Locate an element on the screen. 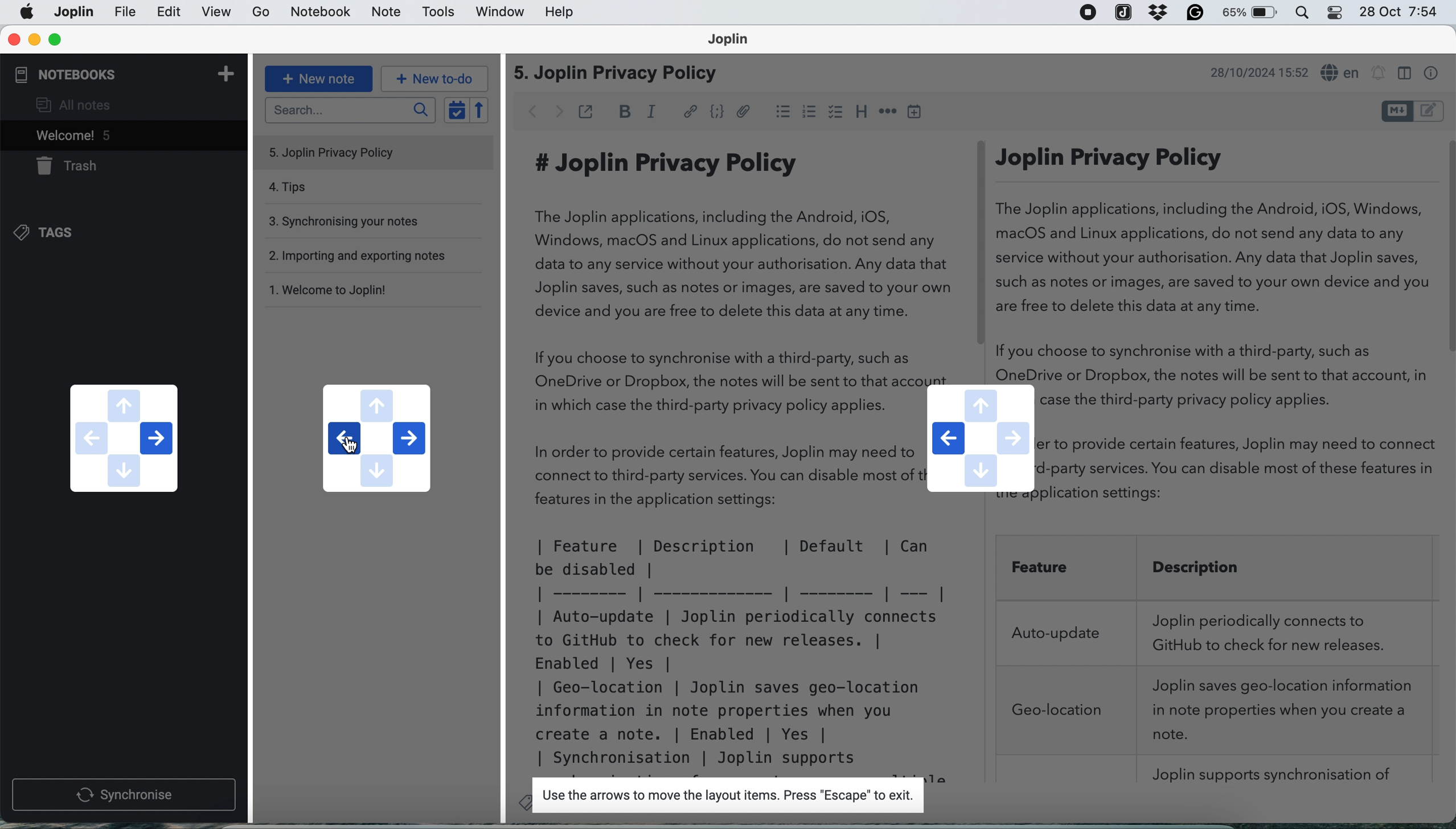 The width and height of the screenshot is (1456, 829). navigation buttons is located at coordinates (376, 441).